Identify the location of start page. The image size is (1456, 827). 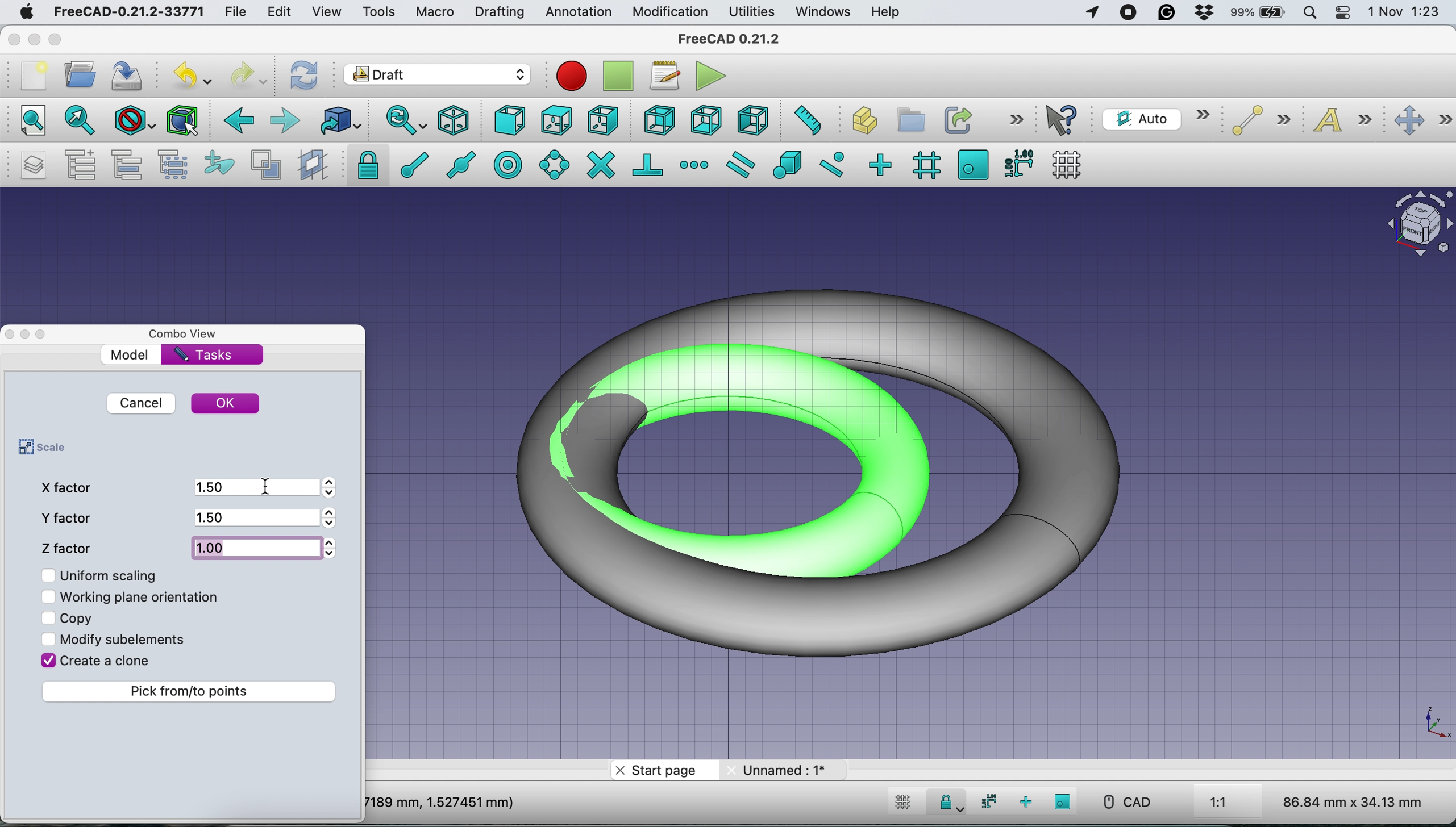
(662, 771).